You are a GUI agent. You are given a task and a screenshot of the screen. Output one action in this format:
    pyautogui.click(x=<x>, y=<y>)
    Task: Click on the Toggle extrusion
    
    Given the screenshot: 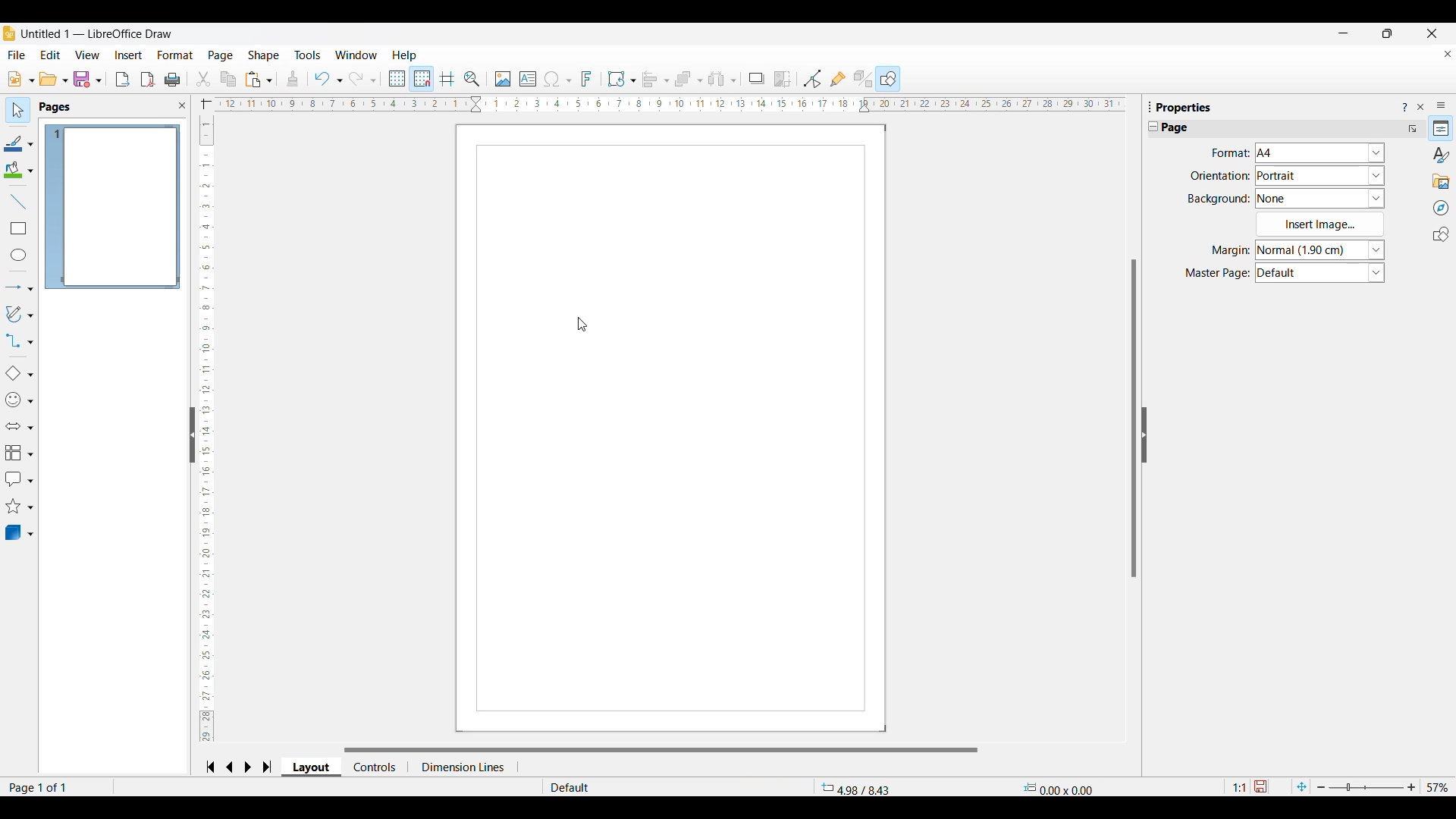 What is the action you would take?
    pyautogui.click(x=864, y=79)
    